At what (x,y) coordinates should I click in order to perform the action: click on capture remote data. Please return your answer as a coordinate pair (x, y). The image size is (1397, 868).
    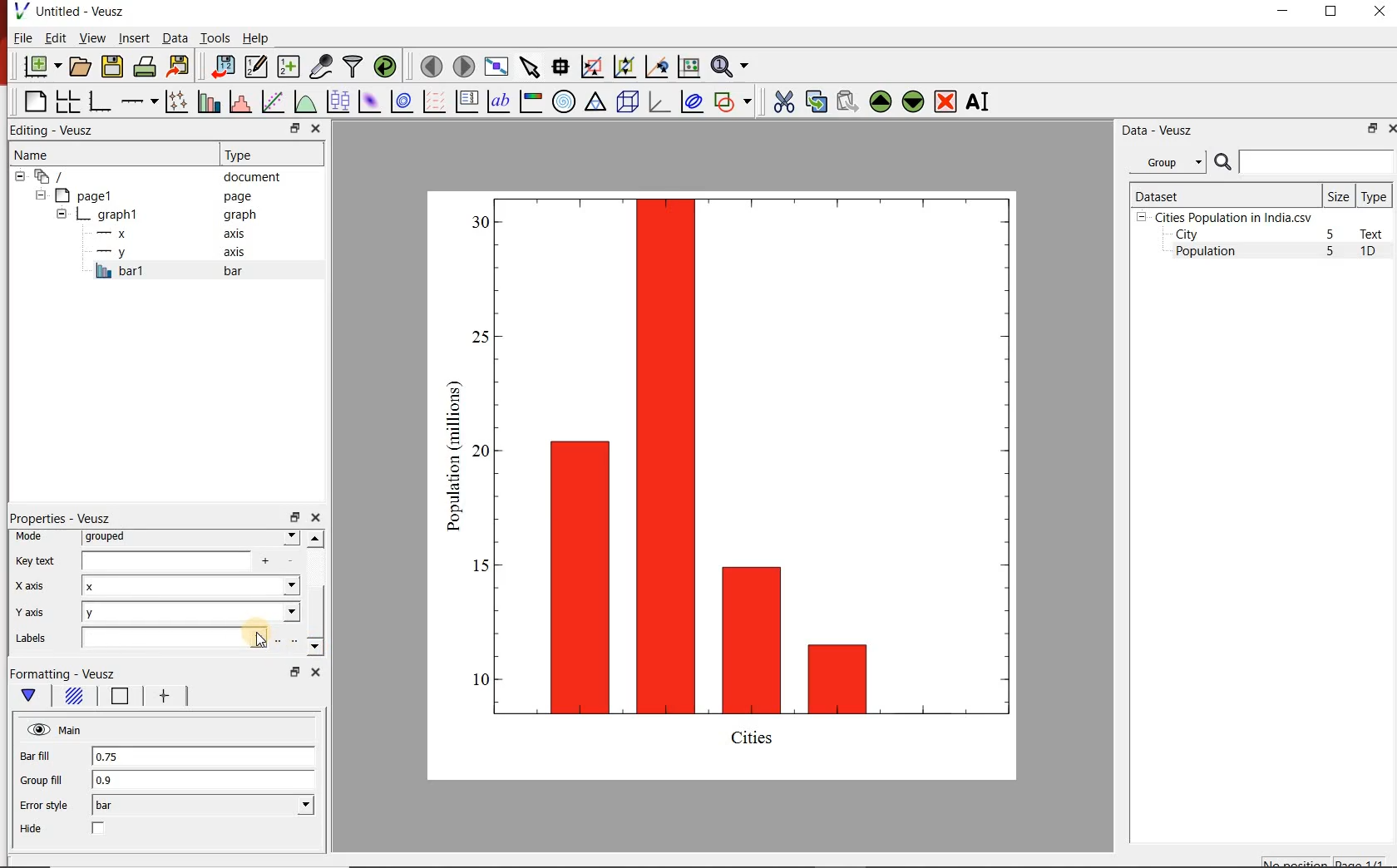
    Looking at the image, I should click on (319, 67).